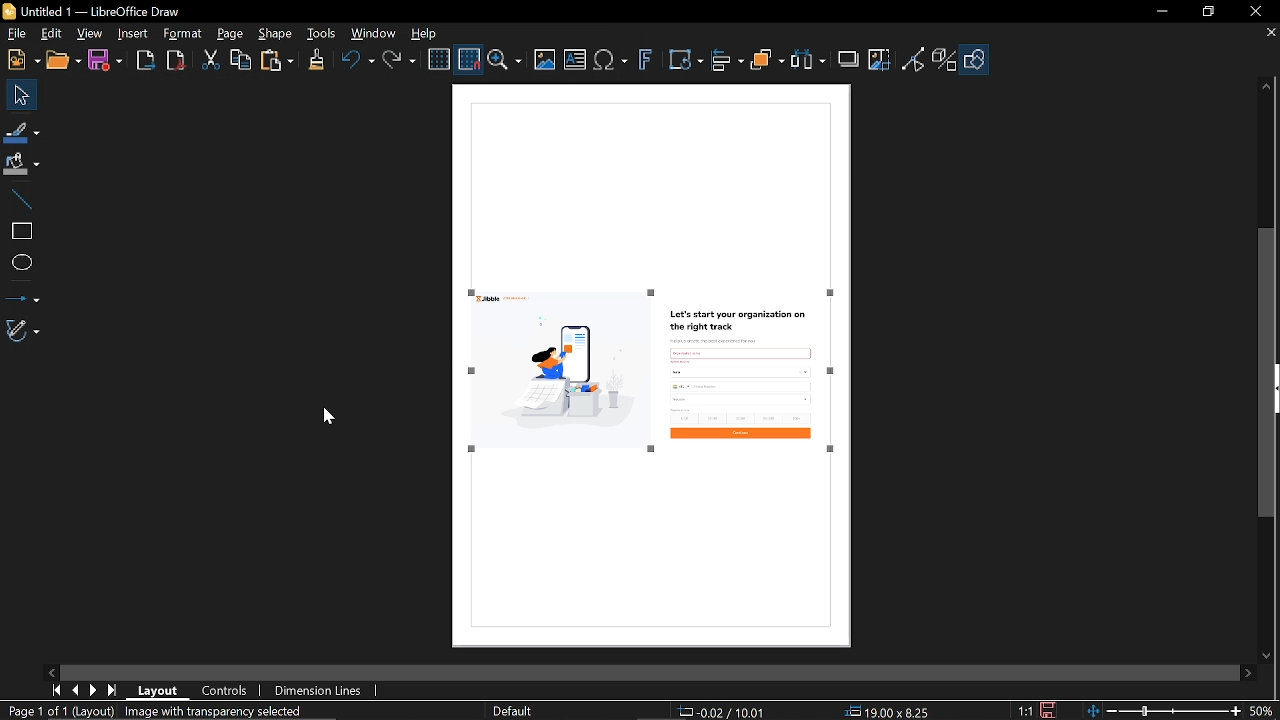 This screenshot has width=1280, height=720. I want to click on Restore down, so click(1205, 11).